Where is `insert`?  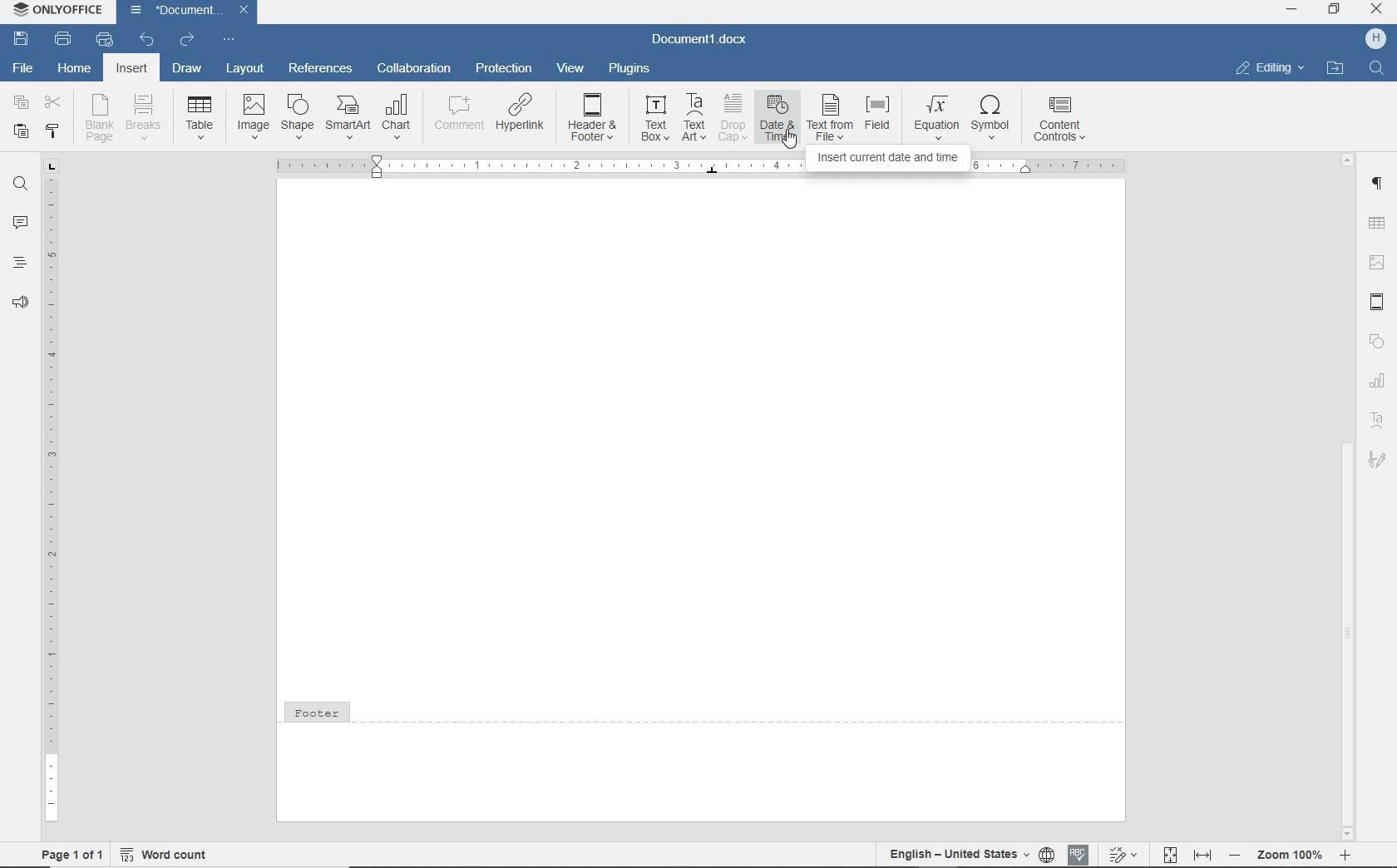
insert is located at coordinates (132, 68).